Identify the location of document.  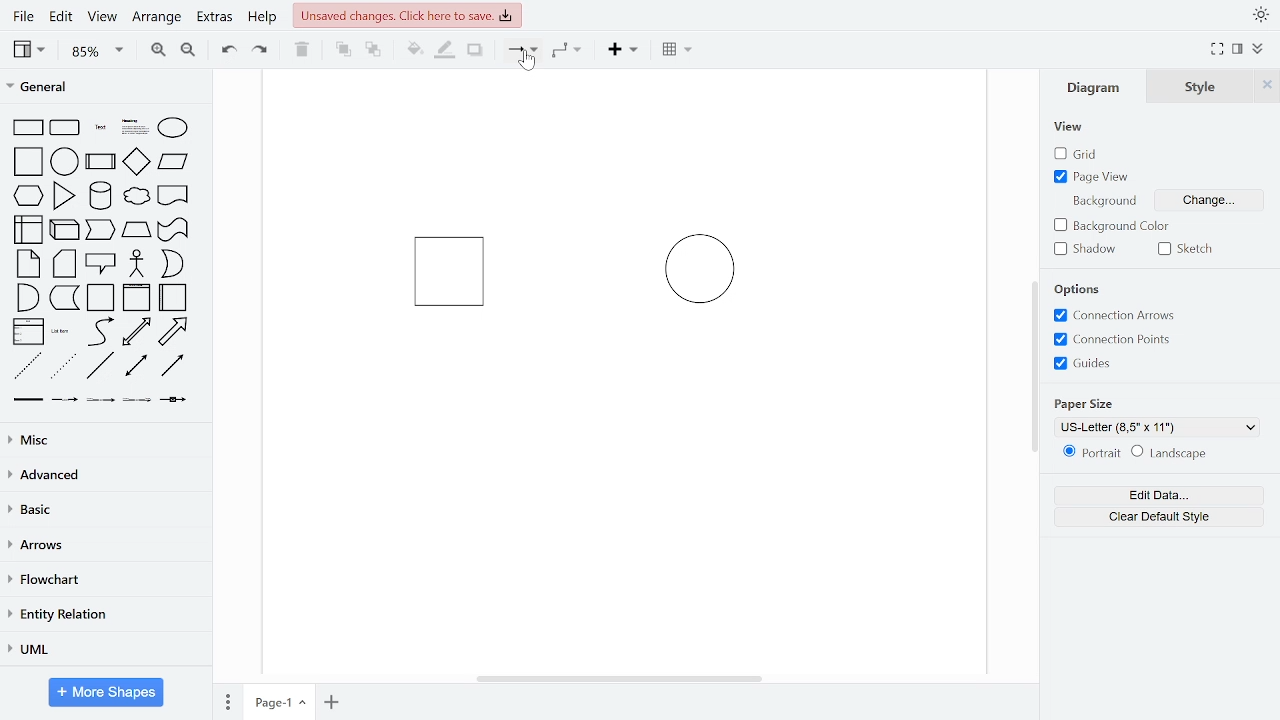
(174, 194).